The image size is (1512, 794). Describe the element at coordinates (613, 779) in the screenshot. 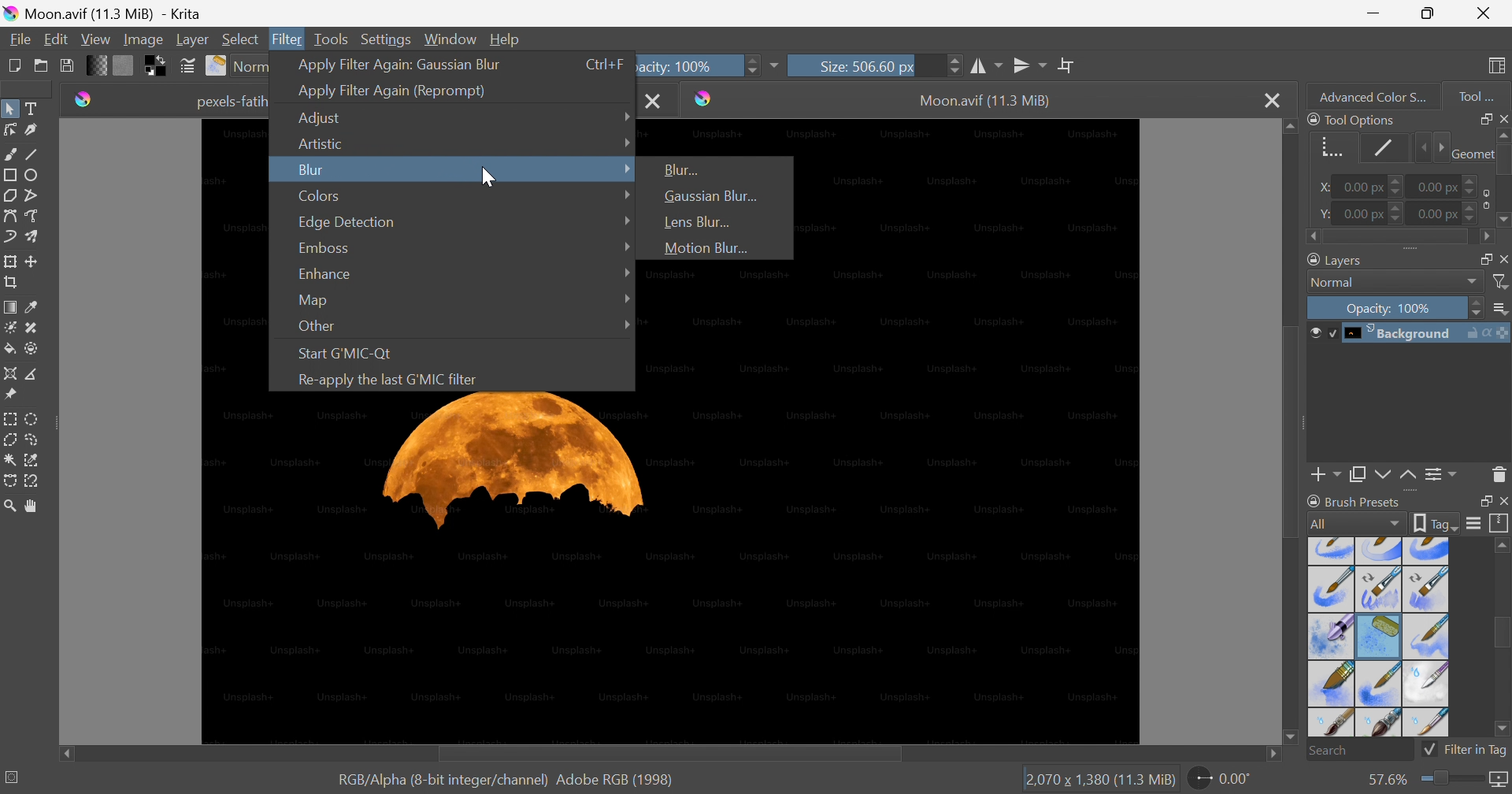

I see `Adobe RGB (1998)` at that location.